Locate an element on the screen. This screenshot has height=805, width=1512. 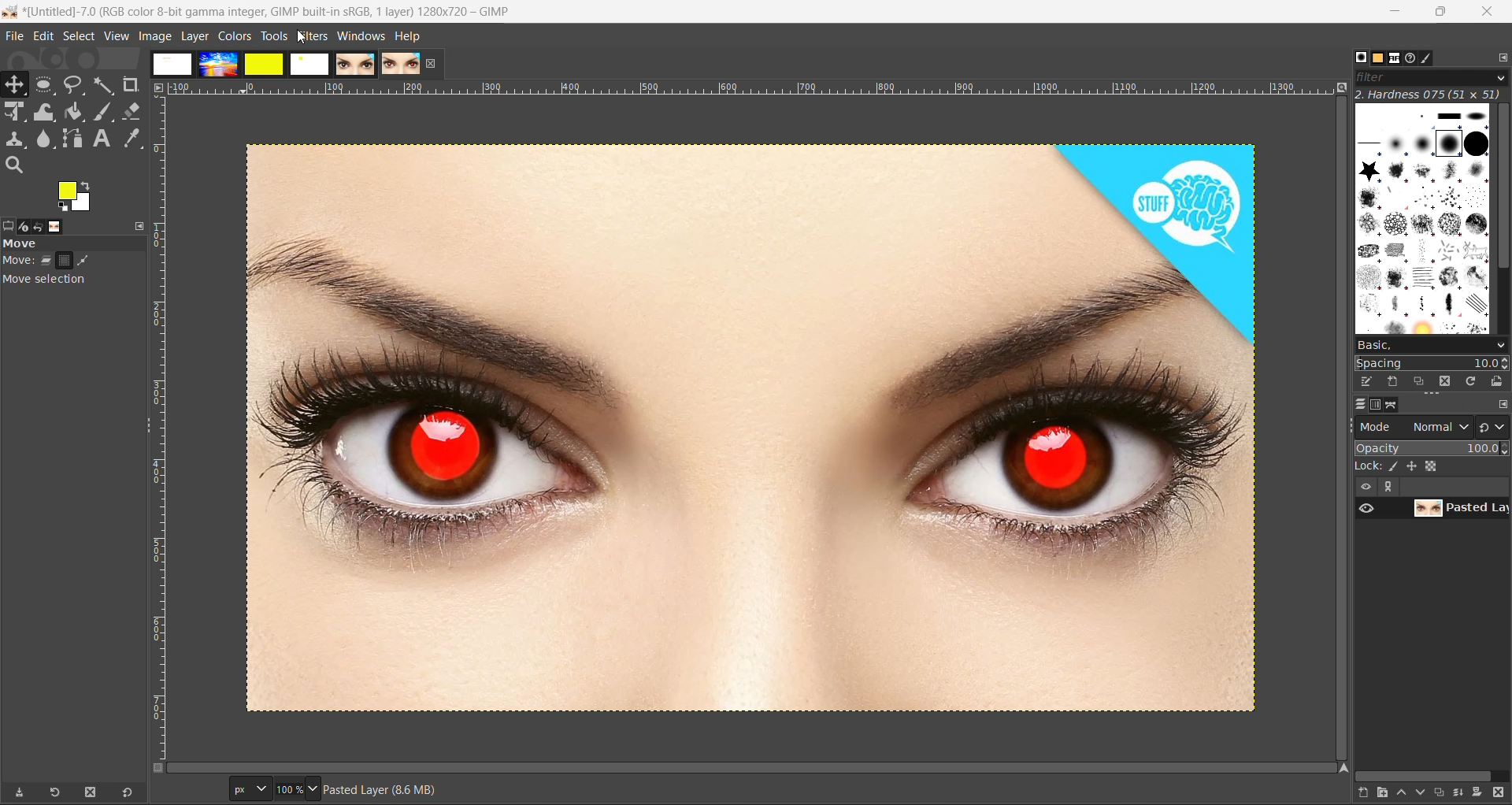
ink is located at coordinates (1394, 466).